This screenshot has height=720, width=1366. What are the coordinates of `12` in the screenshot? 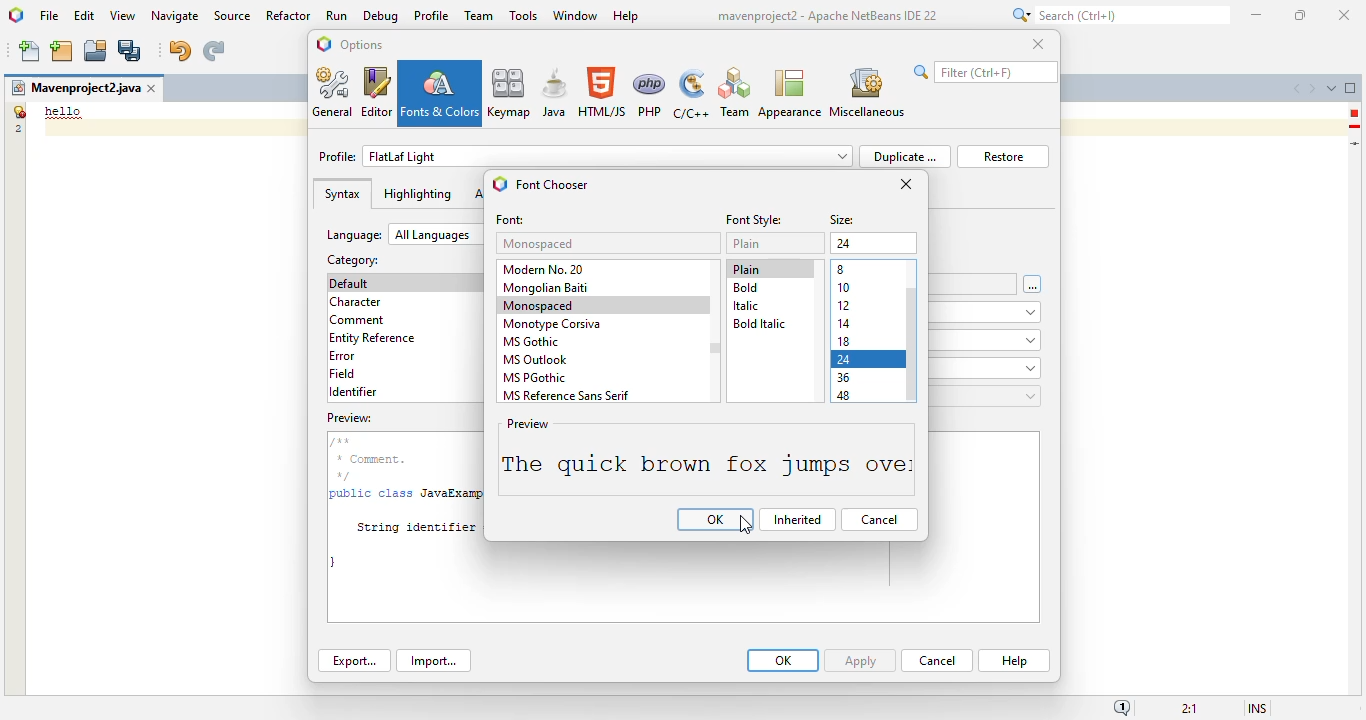 It's located at (844, 306).